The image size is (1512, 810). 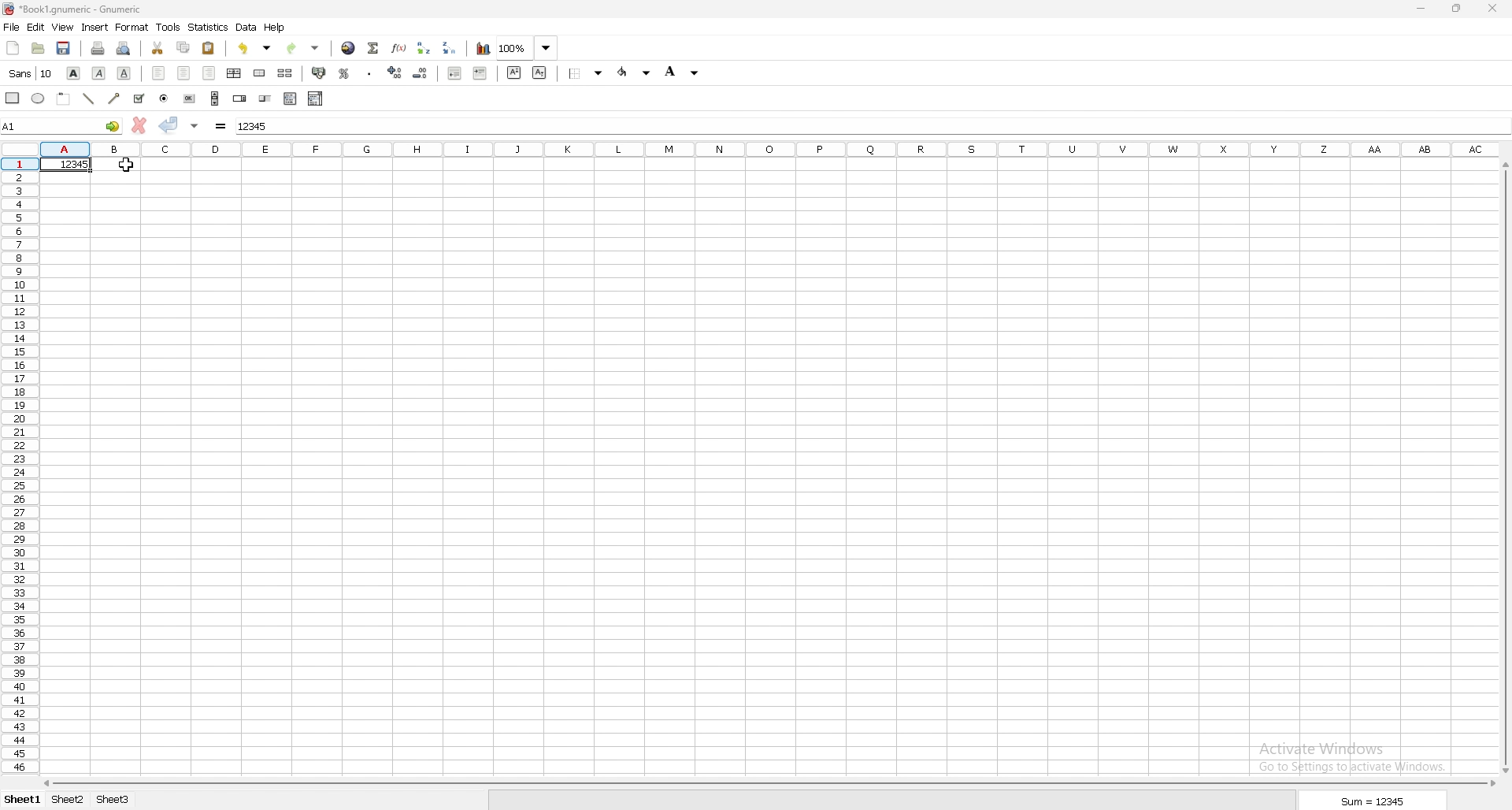 What do you see at coordinates (23, 801) in the screenshot?
I see `sheet 1` at bounding box center [23, 801].